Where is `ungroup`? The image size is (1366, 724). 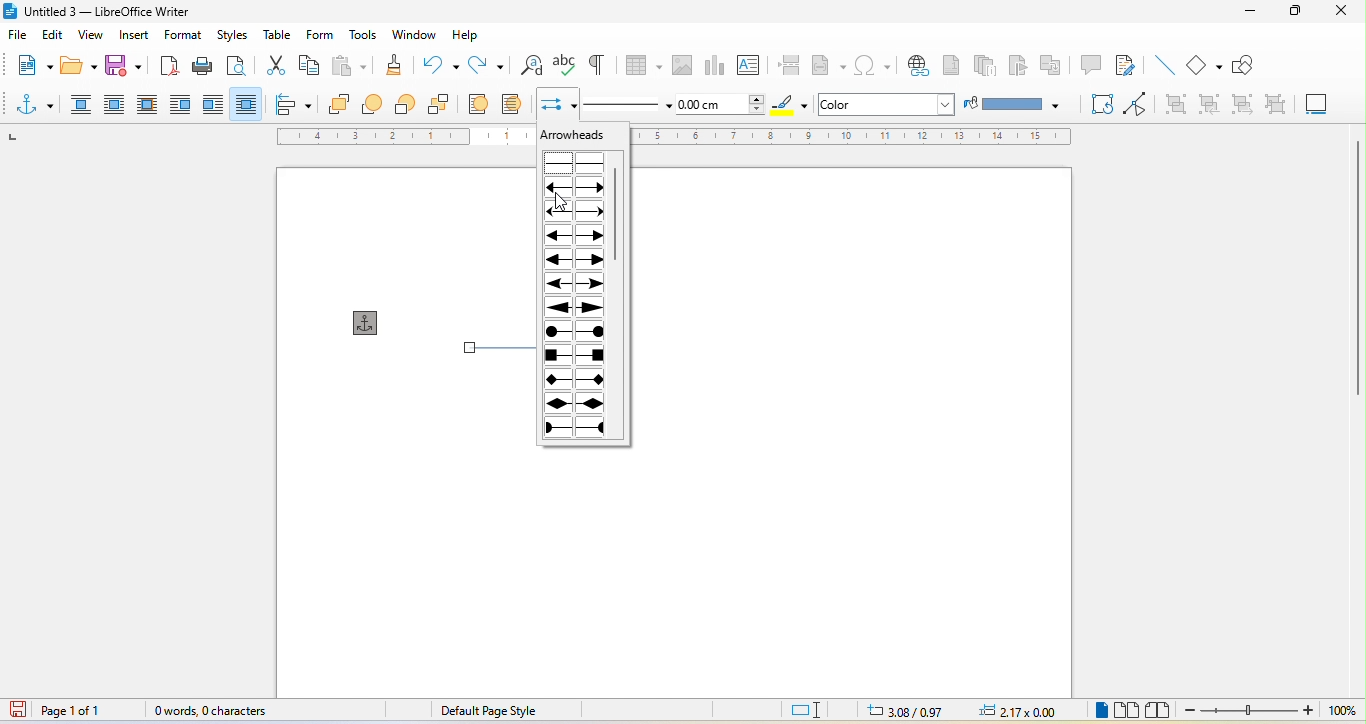
ungroup is located at coordinates (1269, 105).